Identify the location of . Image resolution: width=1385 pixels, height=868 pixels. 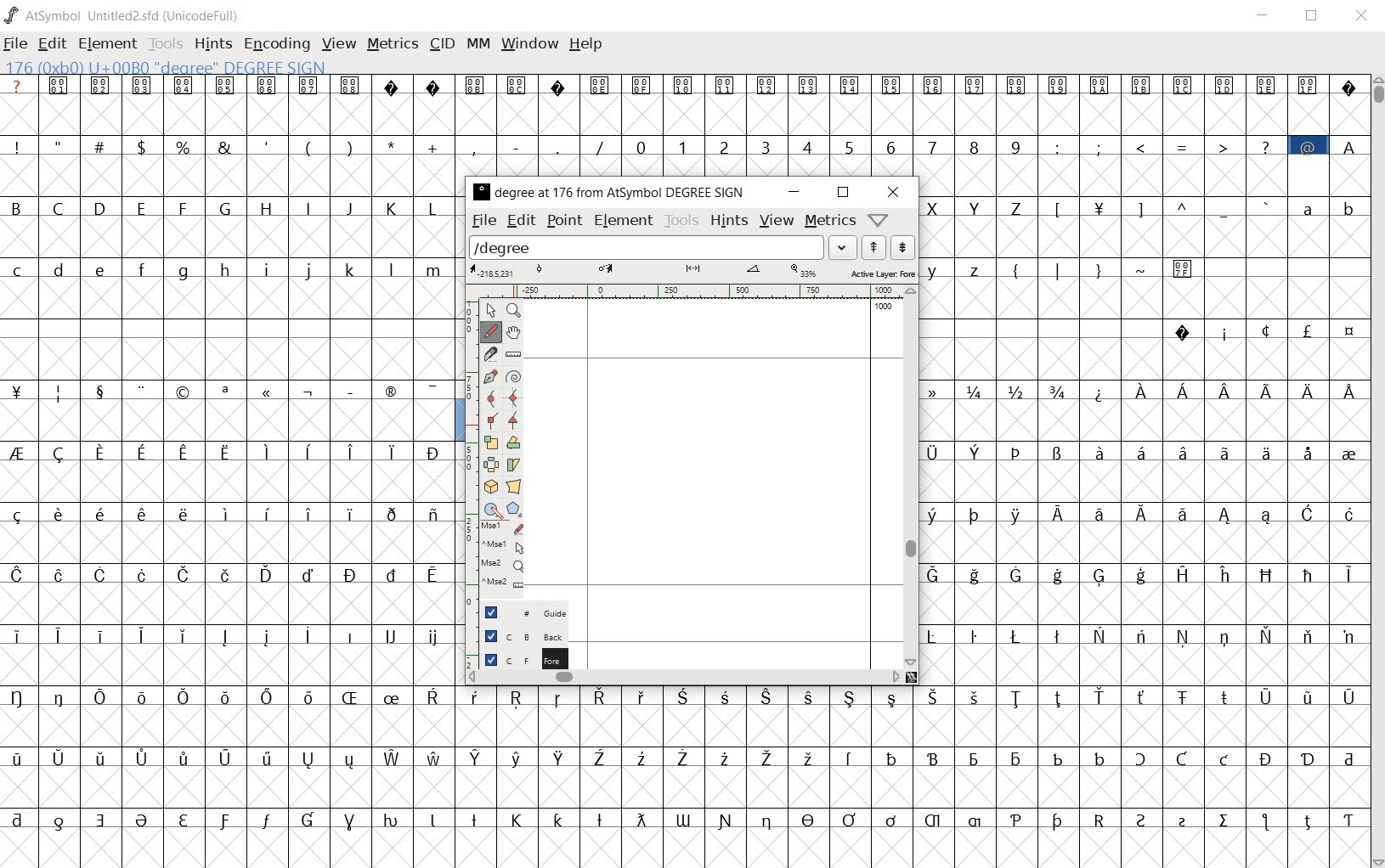
(1148, 481).